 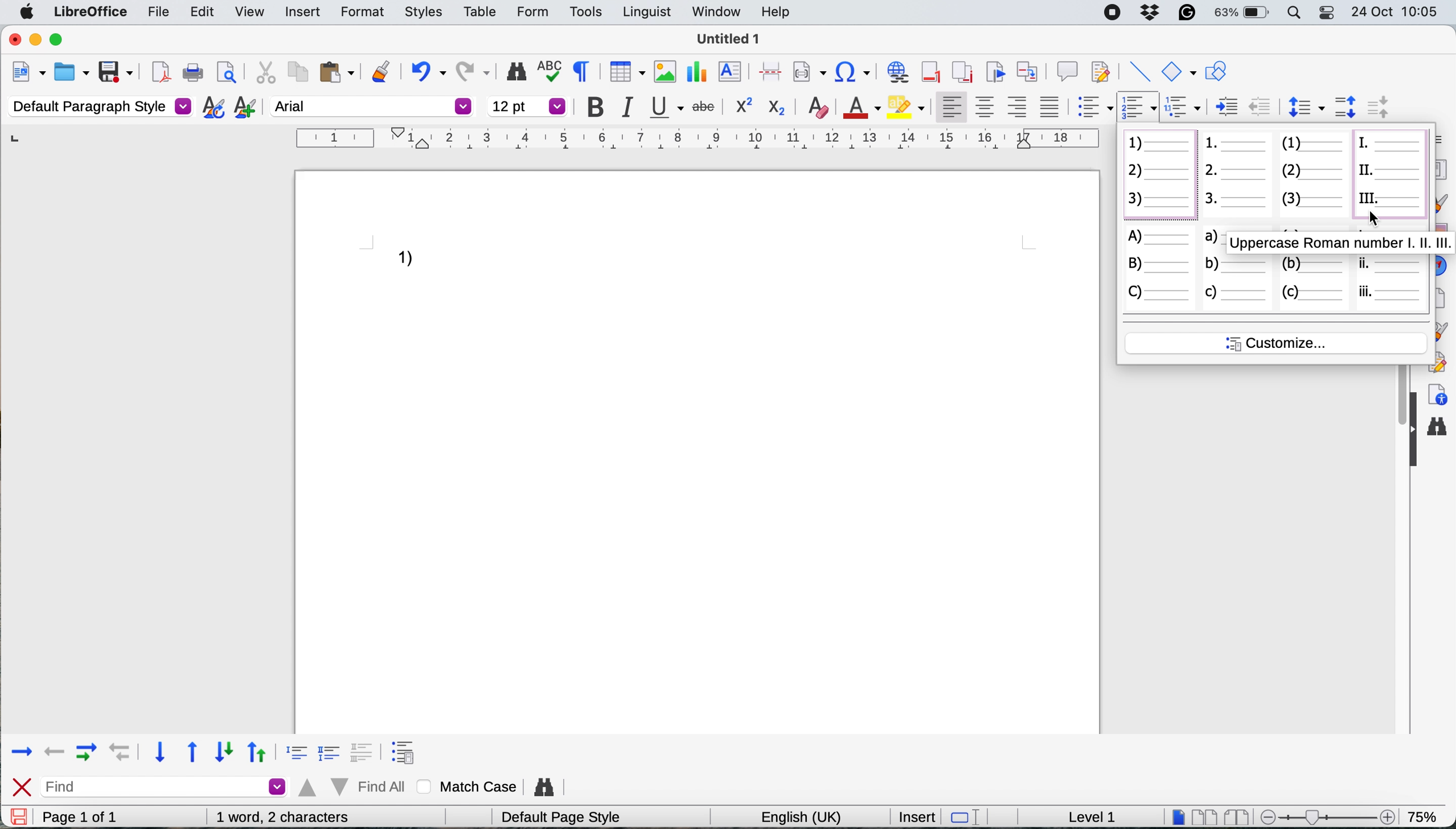 I want to click on window, so click(x=716, y=14).